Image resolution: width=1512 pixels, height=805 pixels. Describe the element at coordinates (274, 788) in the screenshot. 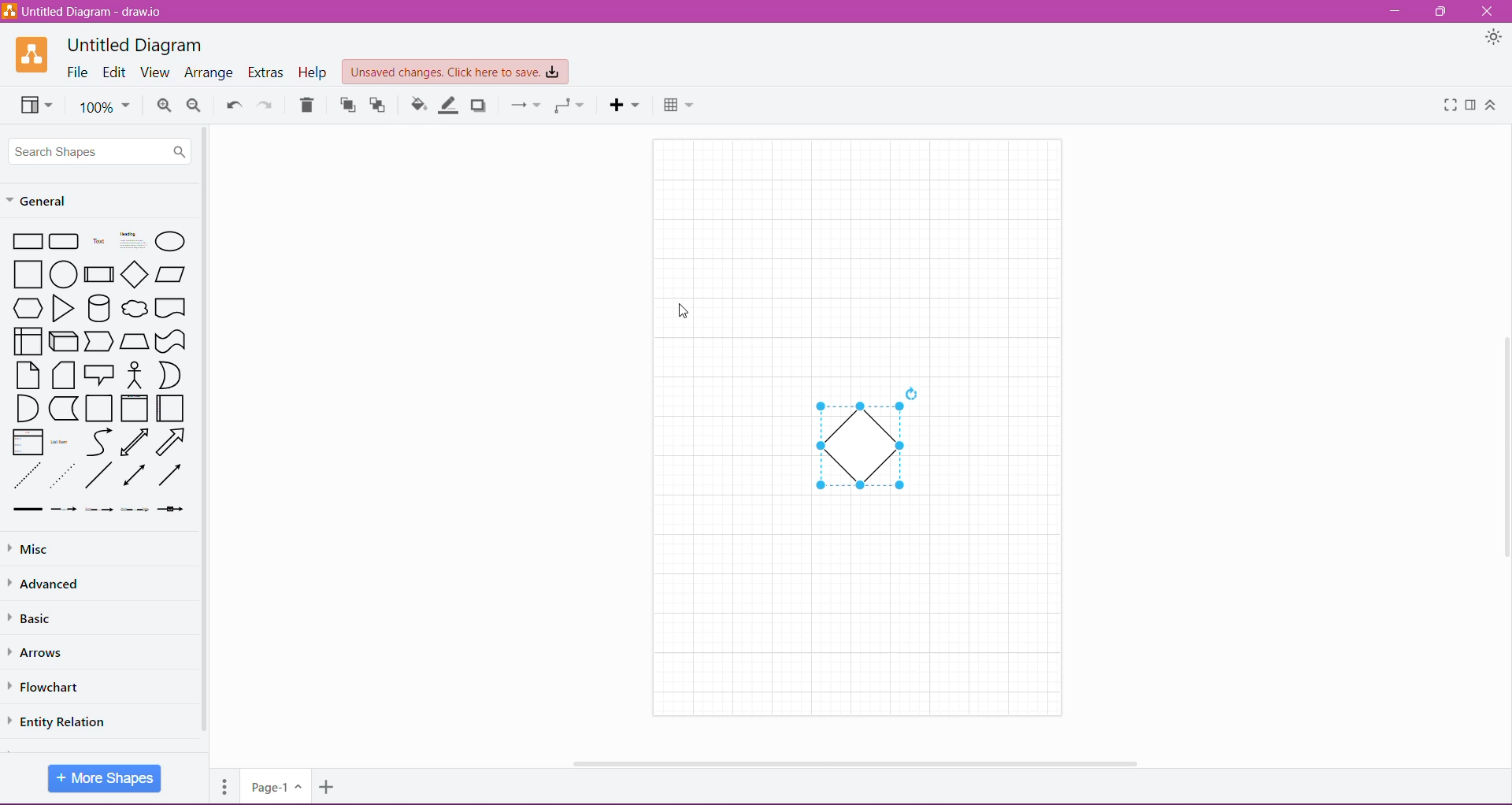

I see `Page Number` at that location.